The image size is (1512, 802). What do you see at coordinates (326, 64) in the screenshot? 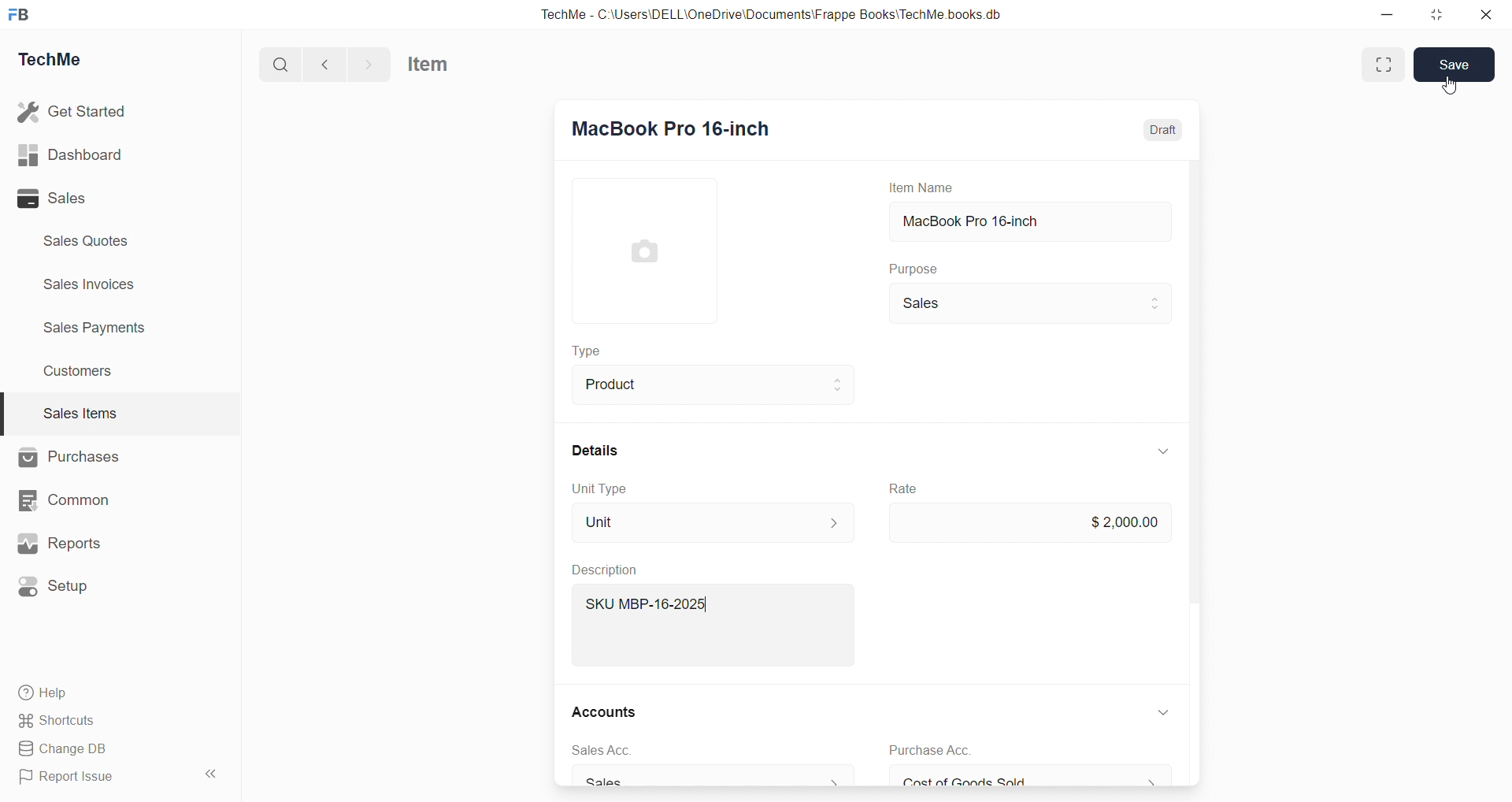
I see `back` at bounding box center [326, 64].